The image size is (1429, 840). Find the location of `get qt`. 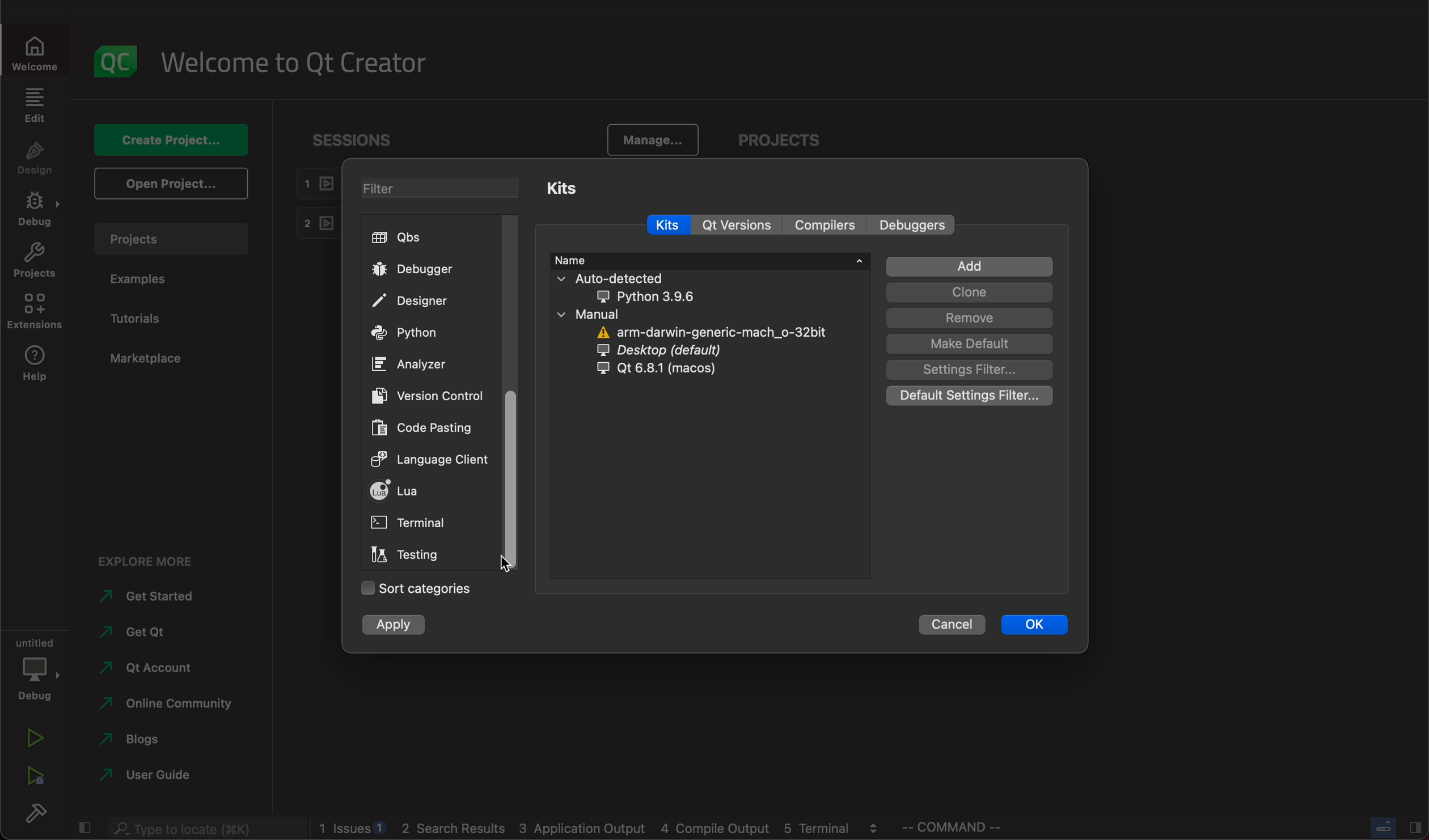

get qt is located at coordinates (150, 634).